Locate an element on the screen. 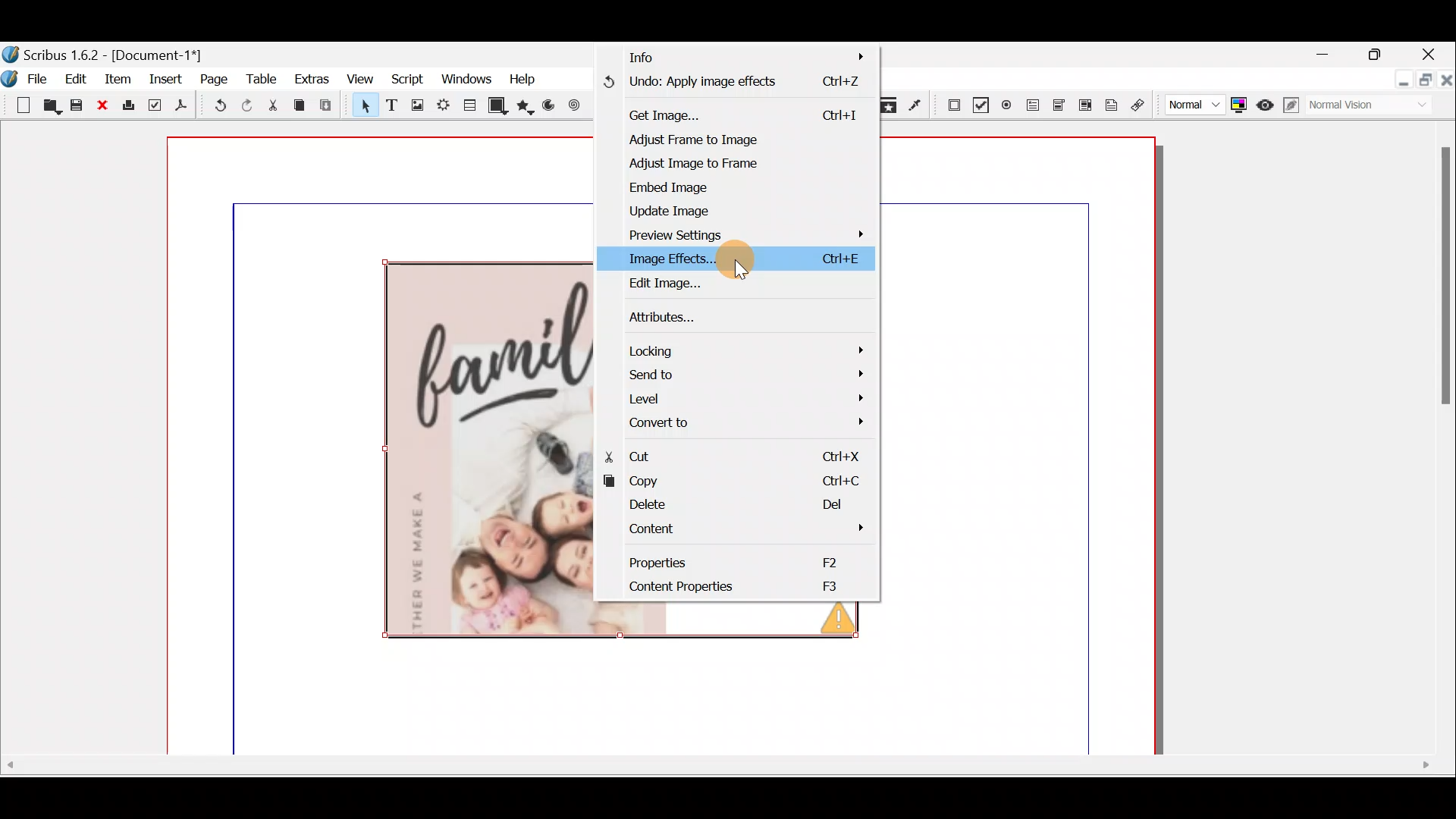 The width and height of the screenshot is (1456, 819). maximise is located at coordinates (1423, 83).